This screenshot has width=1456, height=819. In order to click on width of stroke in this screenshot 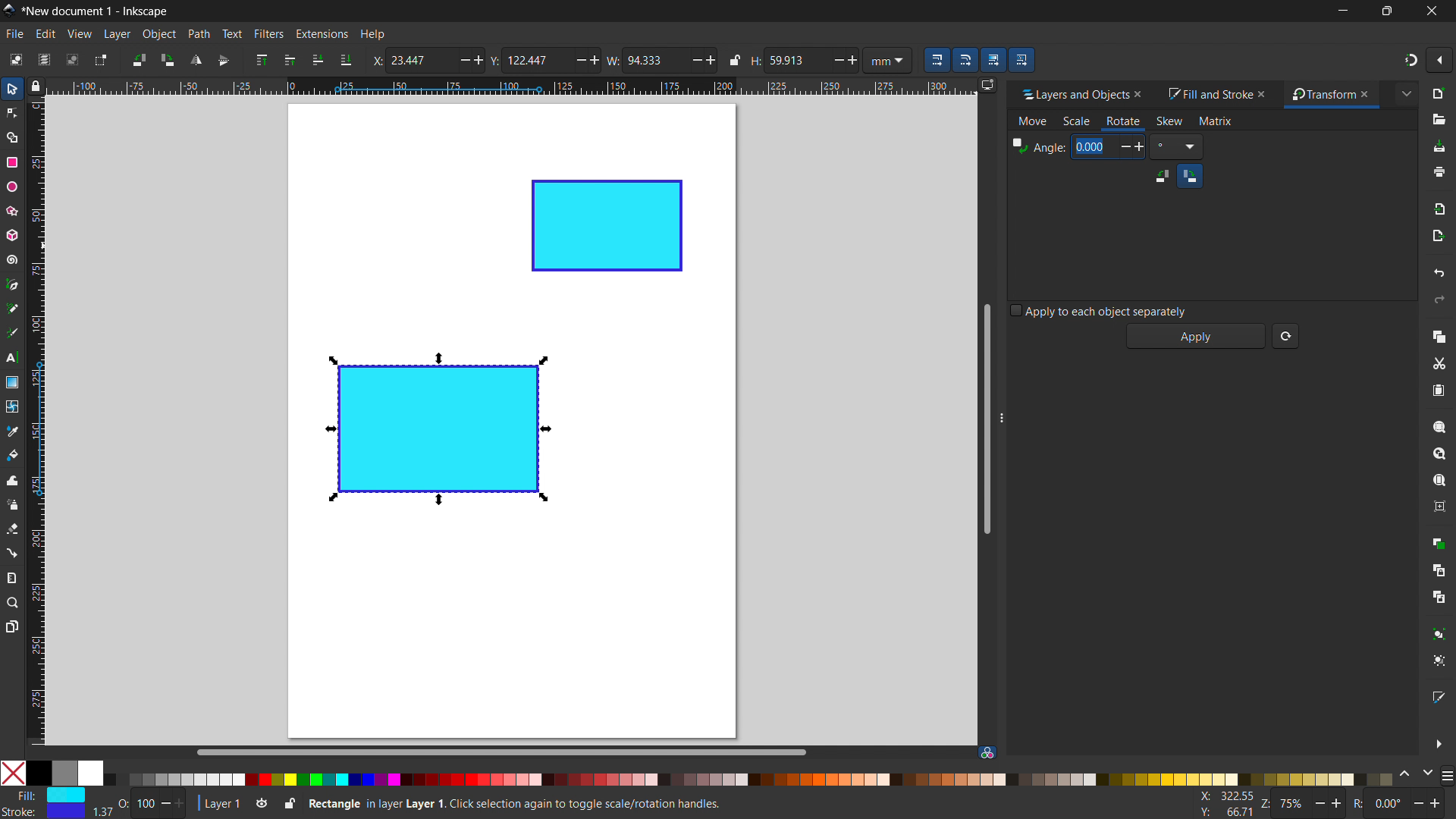, I will do `click(102, 812)`.